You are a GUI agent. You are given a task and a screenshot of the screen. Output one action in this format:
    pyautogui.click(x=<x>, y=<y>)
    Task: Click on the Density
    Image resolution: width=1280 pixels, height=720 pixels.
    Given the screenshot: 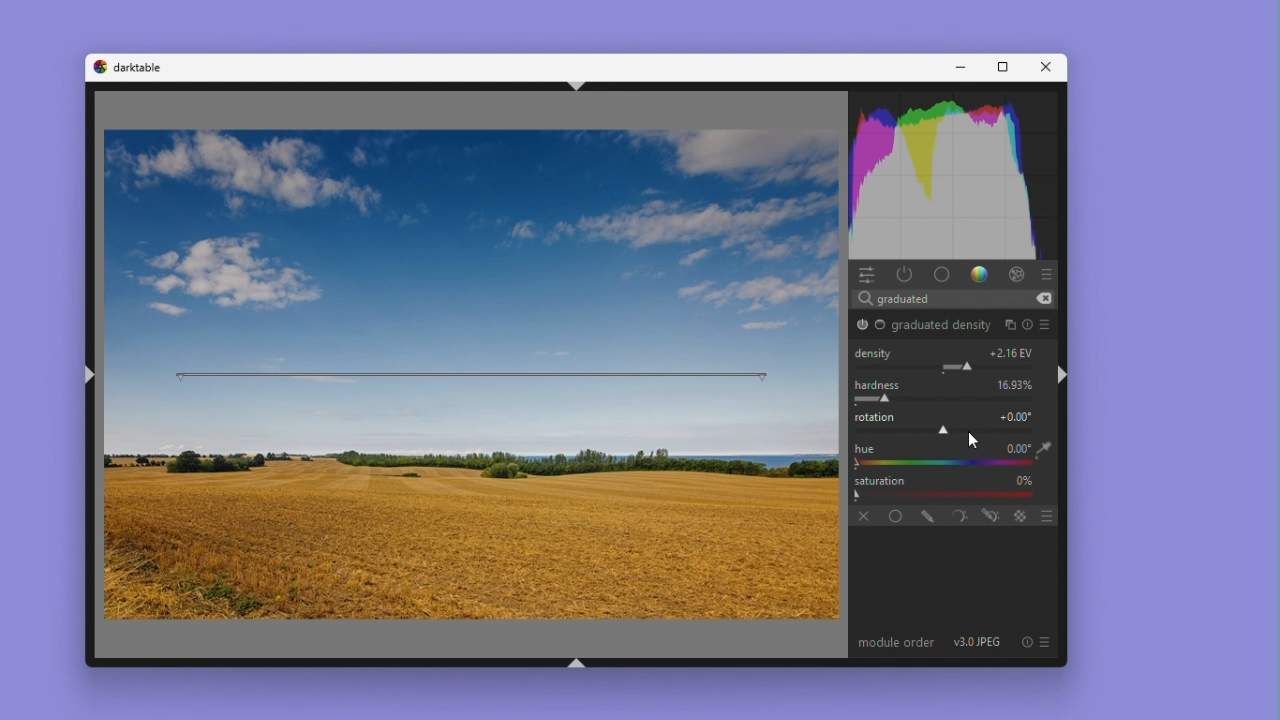 What is the action you would take?
    pyautogui.click(x=876, y=352)
    